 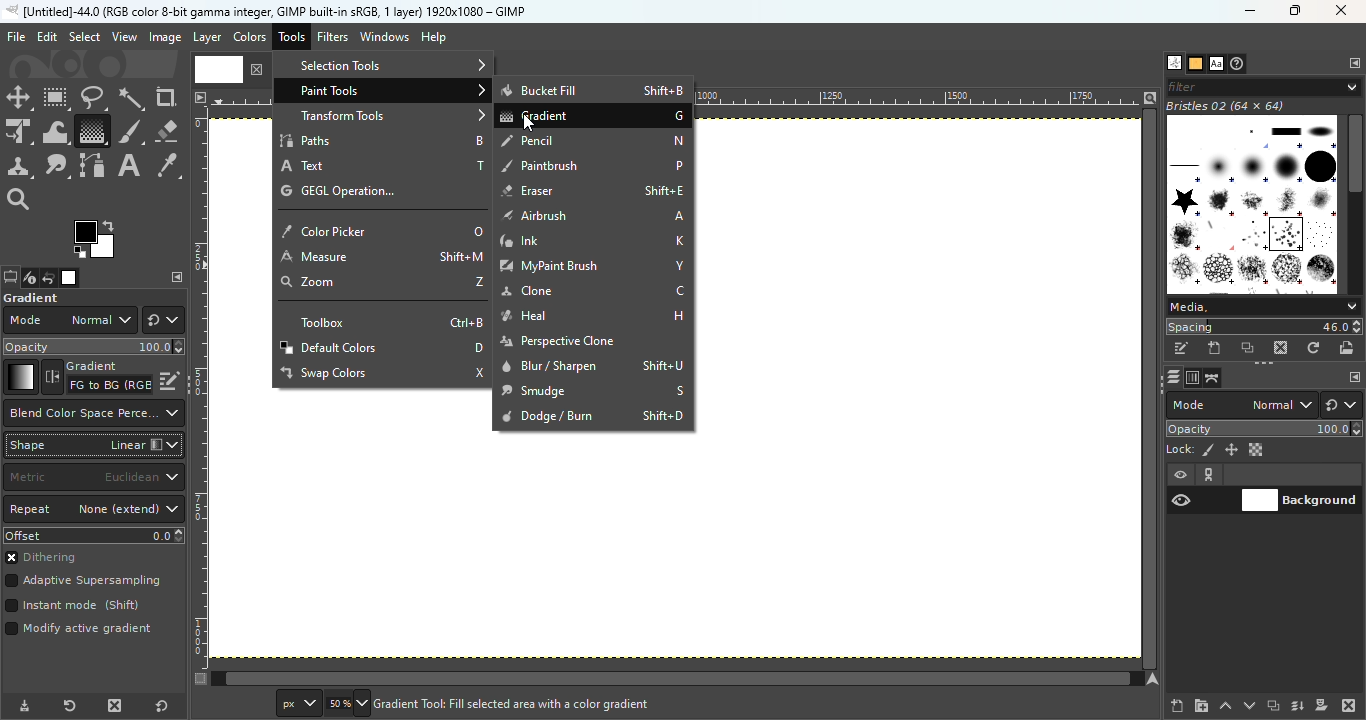 I want to click on Ink, so click(x=592, y=240).